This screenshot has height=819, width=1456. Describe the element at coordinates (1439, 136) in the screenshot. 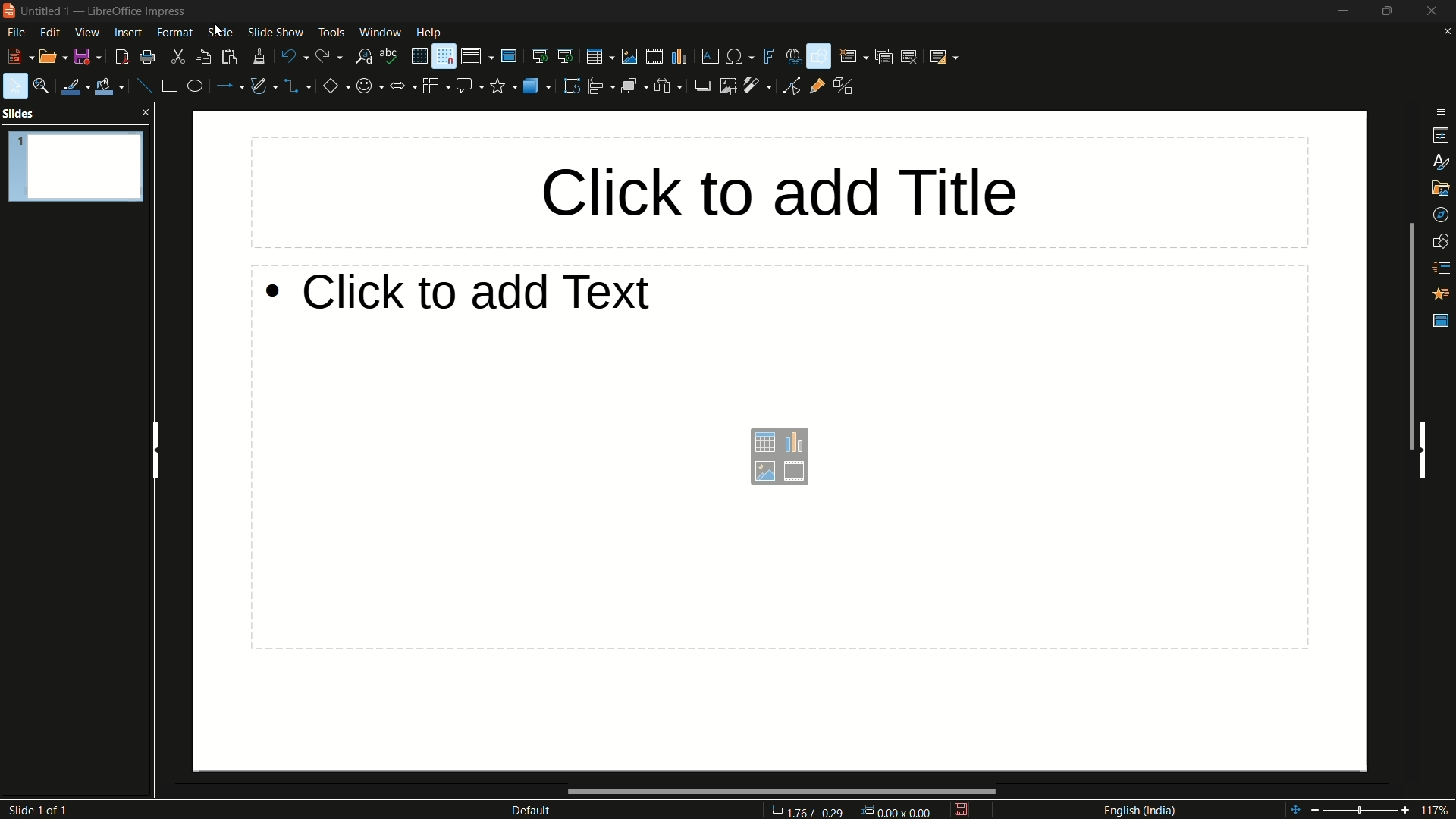

I see `properties` at that location.